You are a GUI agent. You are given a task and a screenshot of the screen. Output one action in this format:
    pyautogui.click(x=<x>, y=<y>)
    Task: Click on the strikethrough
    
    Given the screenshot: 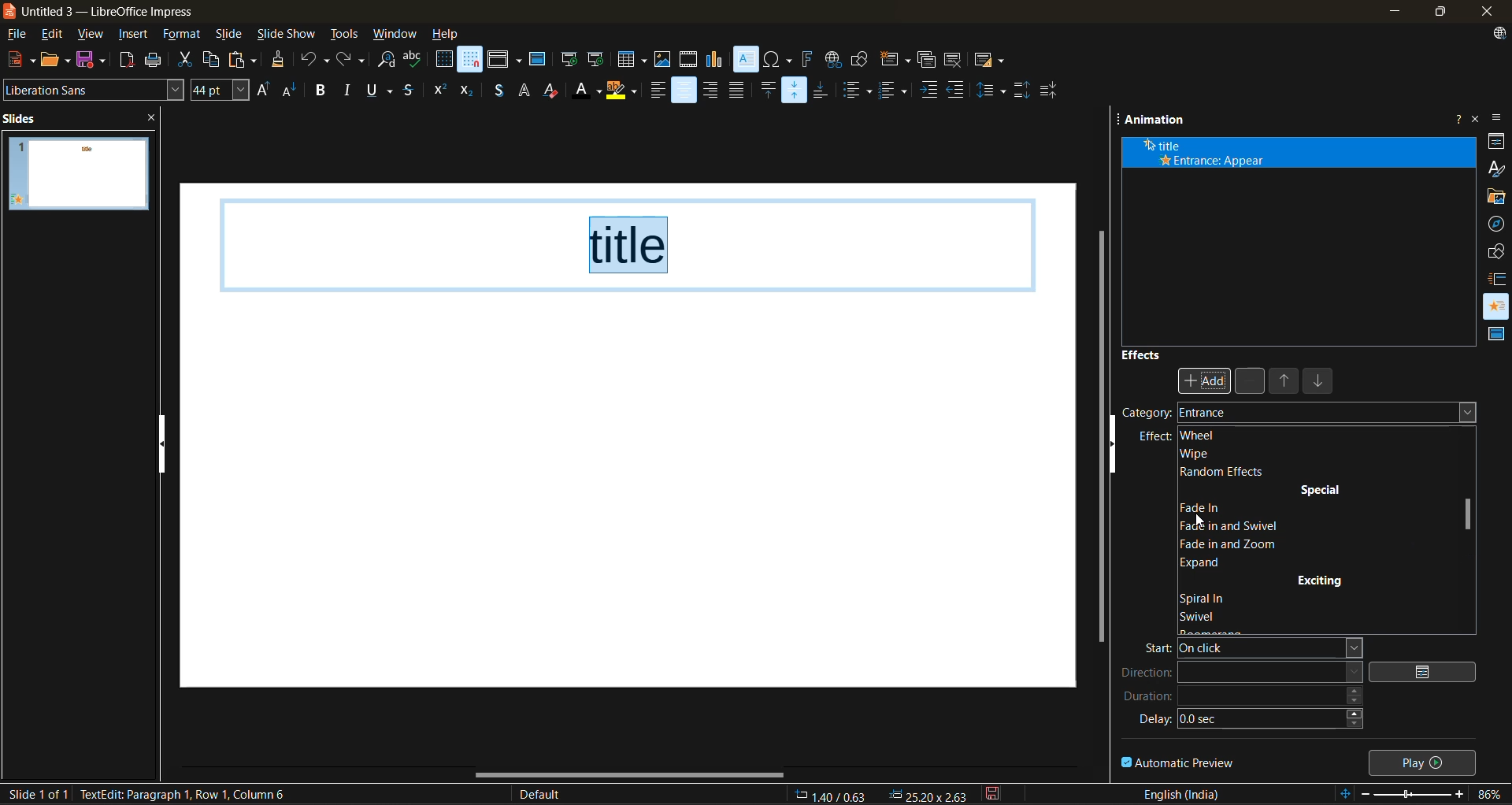 What is the action you would take?
    pyautogui.click(x=409, y=92)
    